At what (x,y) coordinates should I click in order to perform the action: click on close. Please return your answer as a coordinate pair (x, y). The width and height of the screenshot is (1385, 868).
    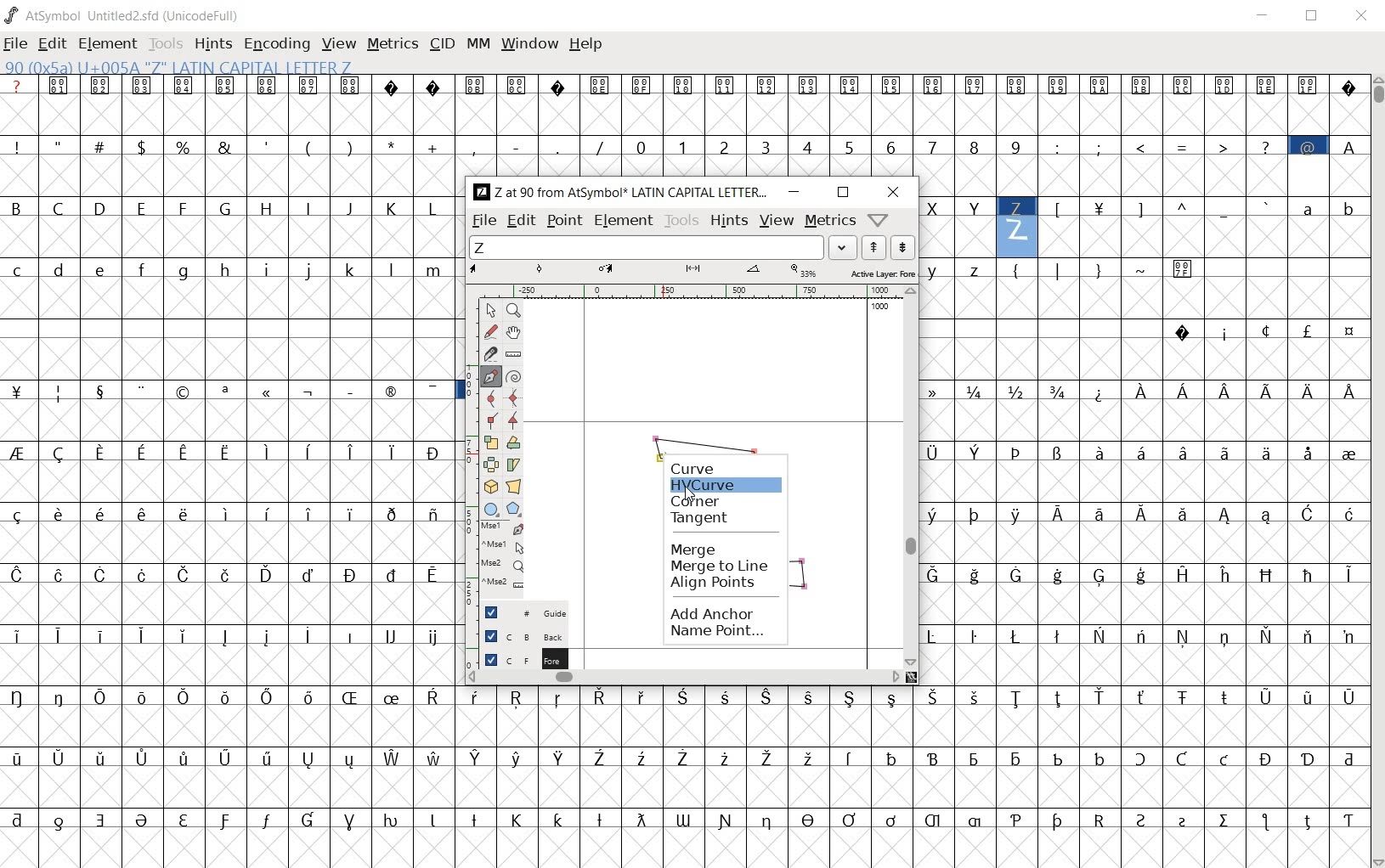
    Looking at the image, I should click on (894, 194).